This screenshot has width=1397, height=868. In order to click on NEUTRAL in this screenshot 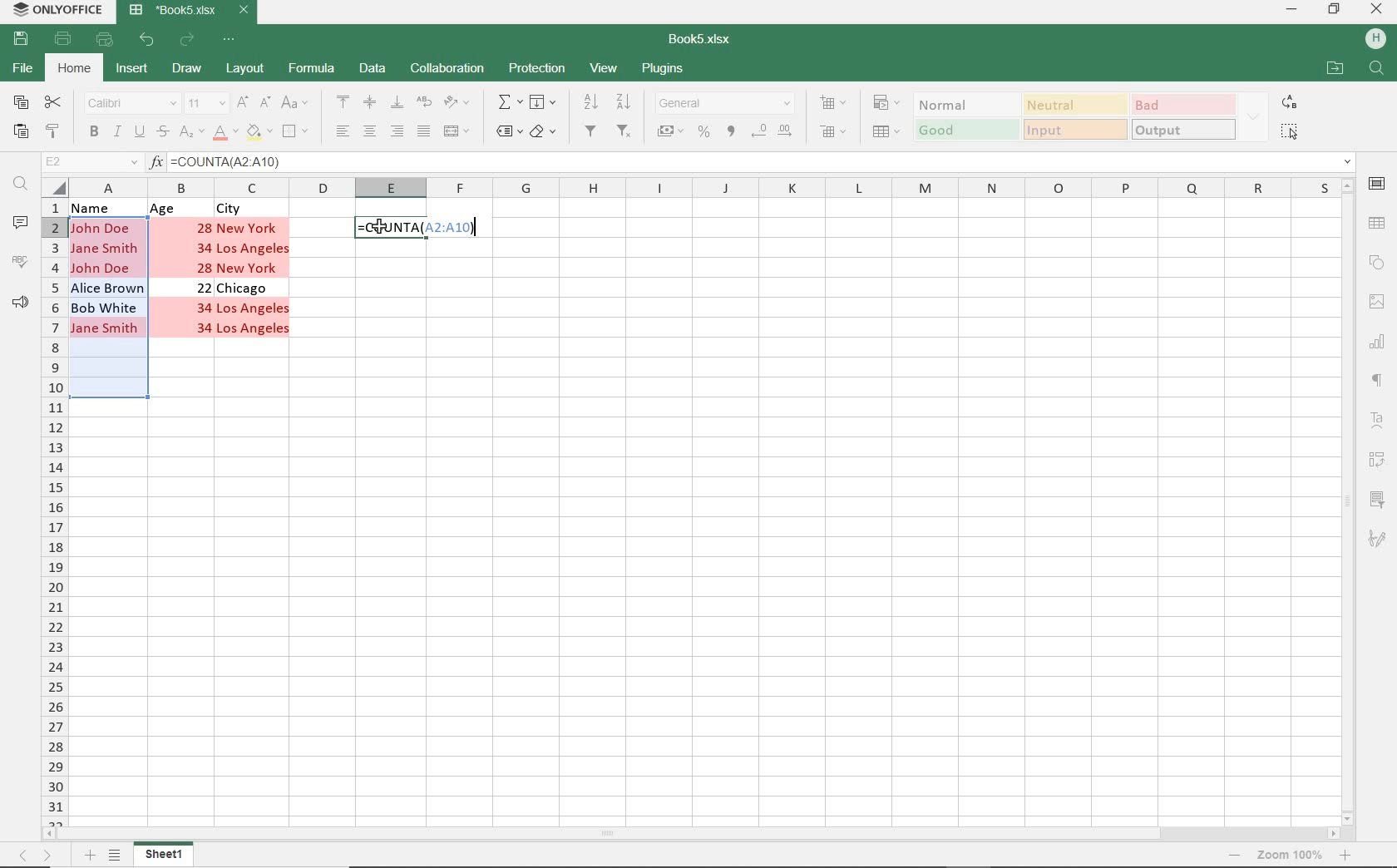, I will do `click(1074, 104)`.